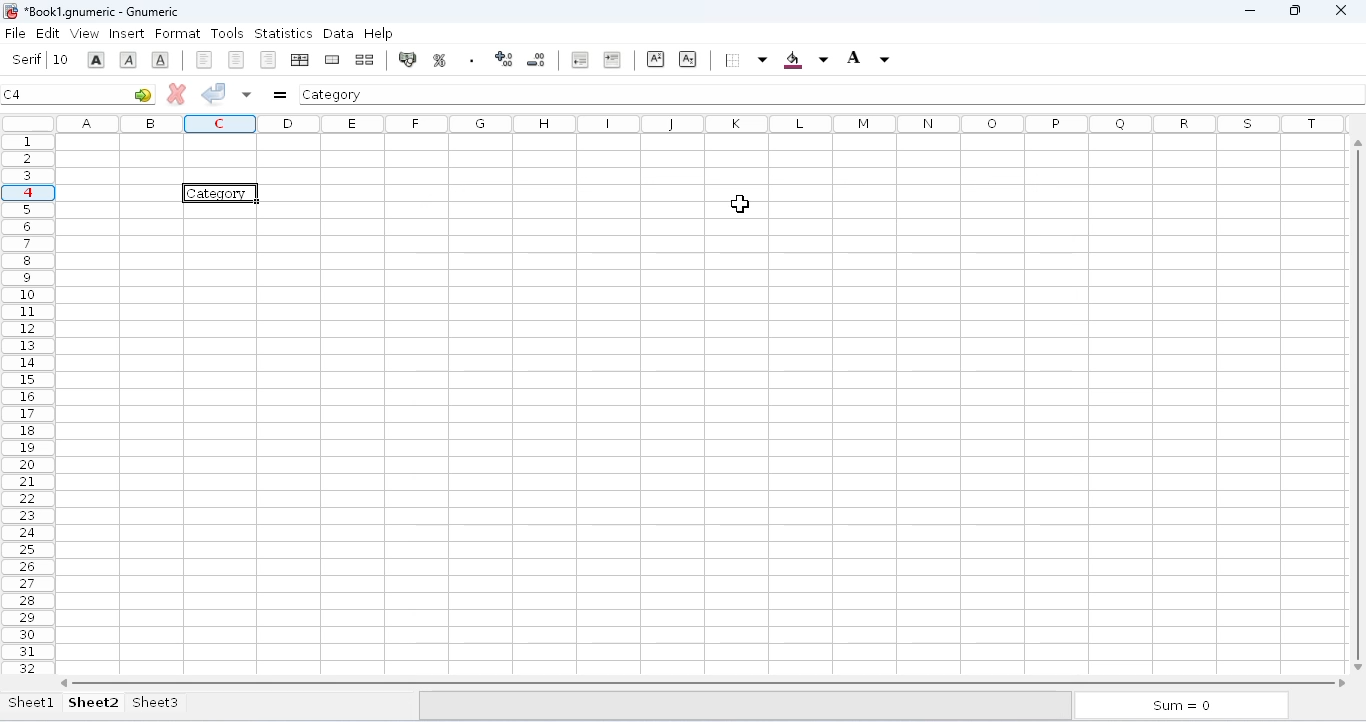 The image size is (1366, 722). What do you see at coordinates (886, 59) in the screenshot?
I see `foreground` at bounding box center [886, 59].